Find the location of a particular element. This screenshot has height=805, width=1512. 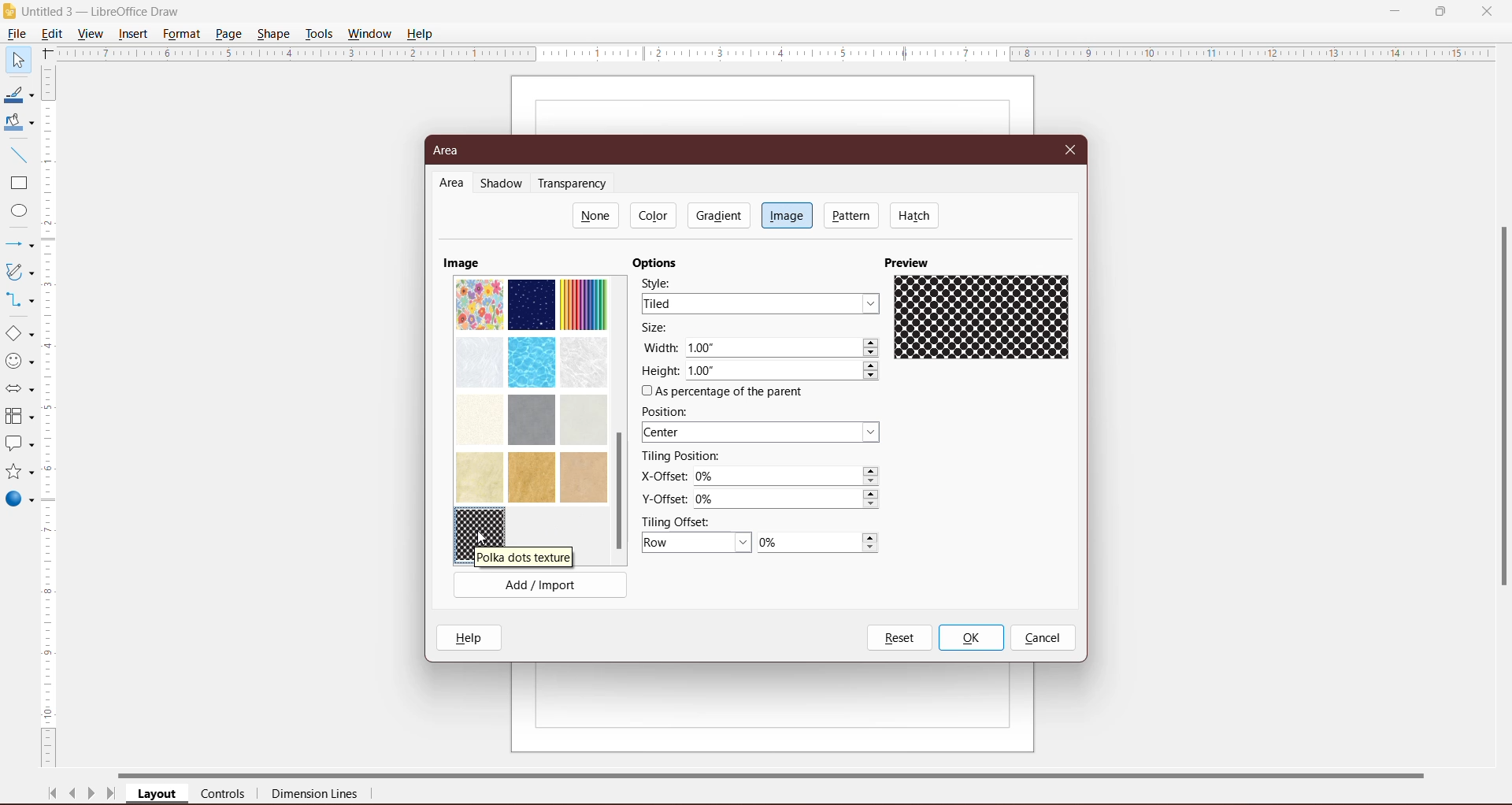

Y-Offset is located at coordinates (664, 497).